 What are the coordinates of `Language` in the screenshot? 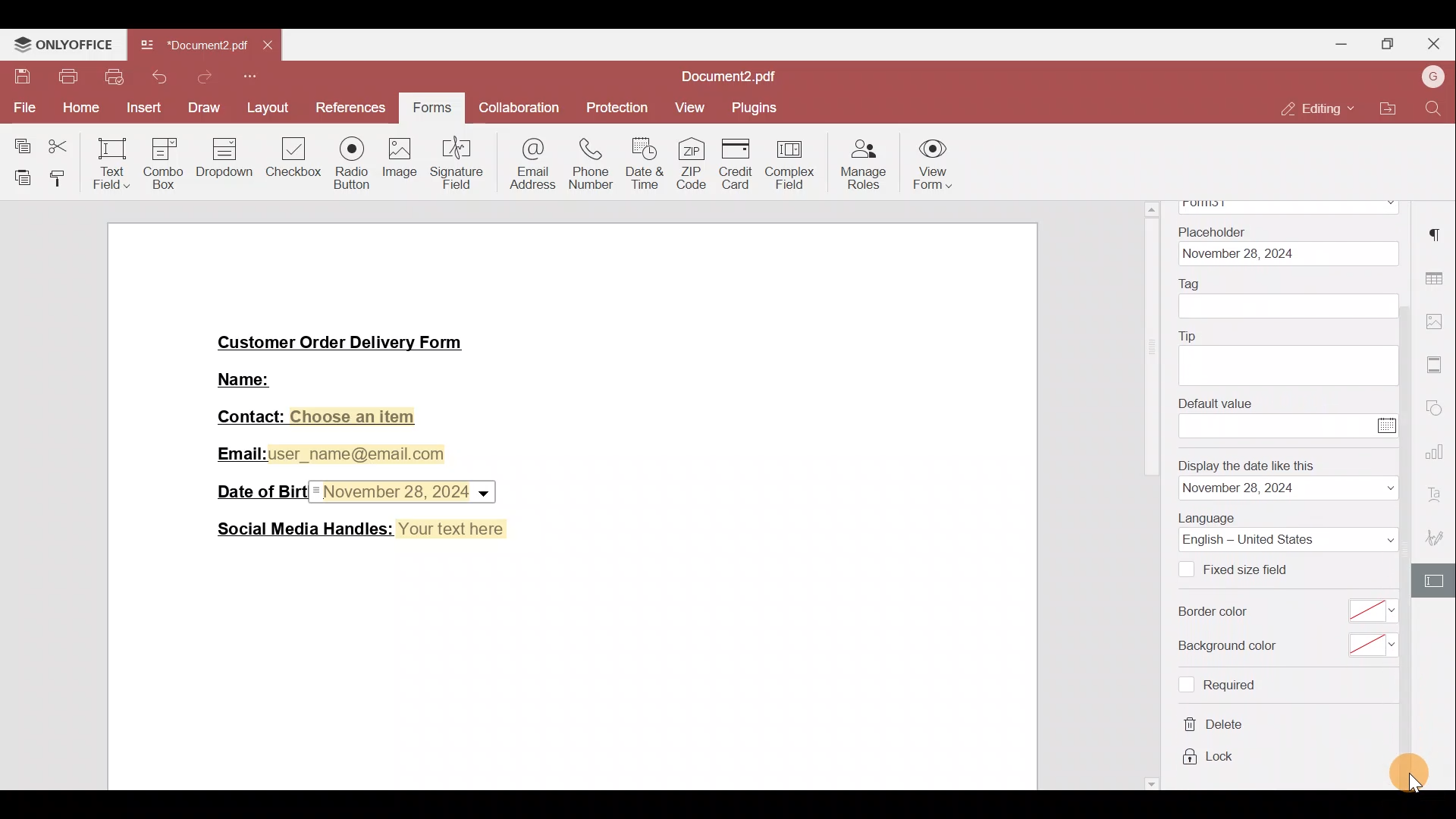 It's located at (1207, 518).